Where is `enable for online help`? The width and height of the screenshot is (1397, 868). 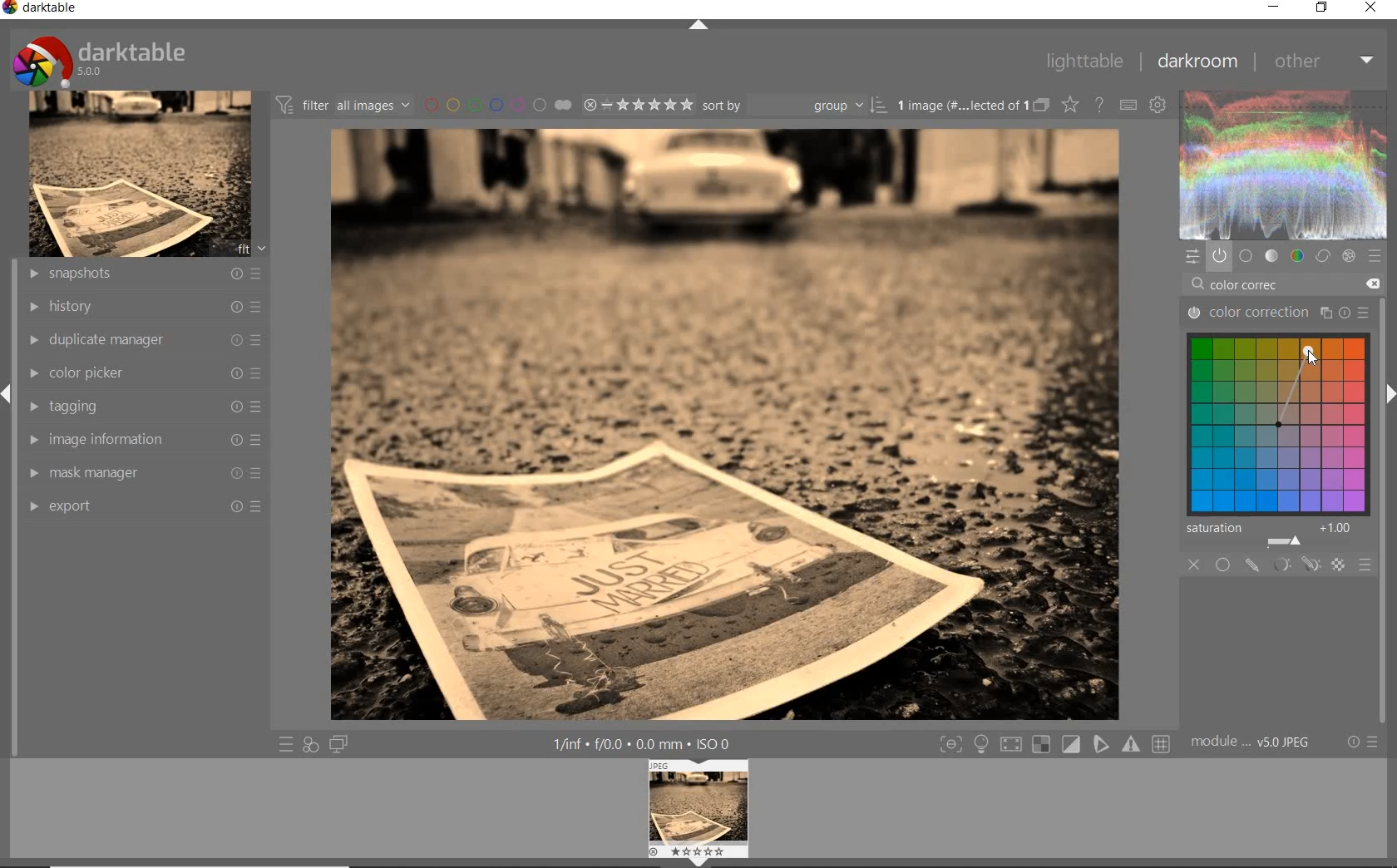
enable for online help is located at coordinates (1100, 104).